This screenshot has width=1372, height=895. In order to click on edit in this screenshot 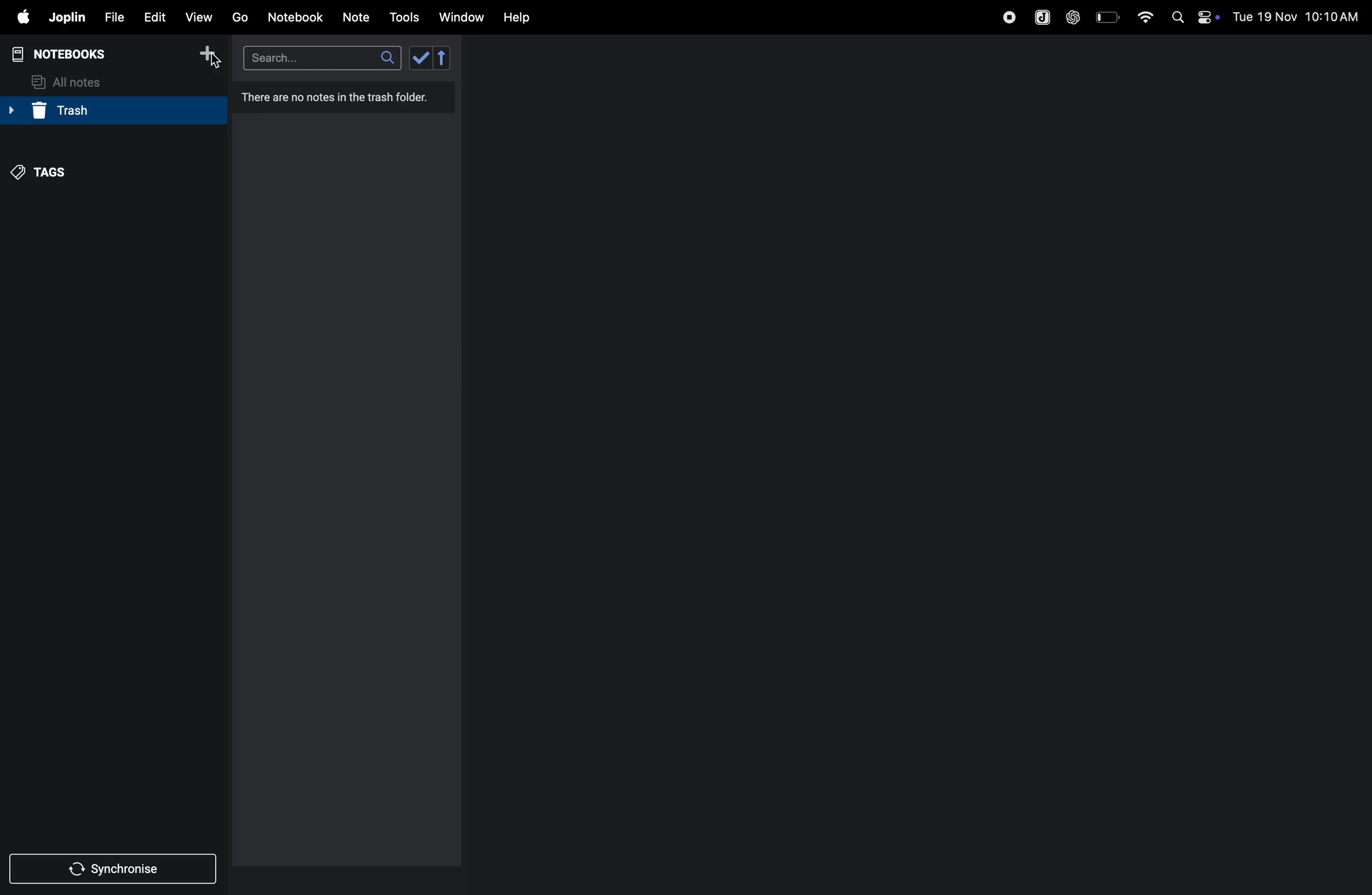, I will do `click(154, 16)`.